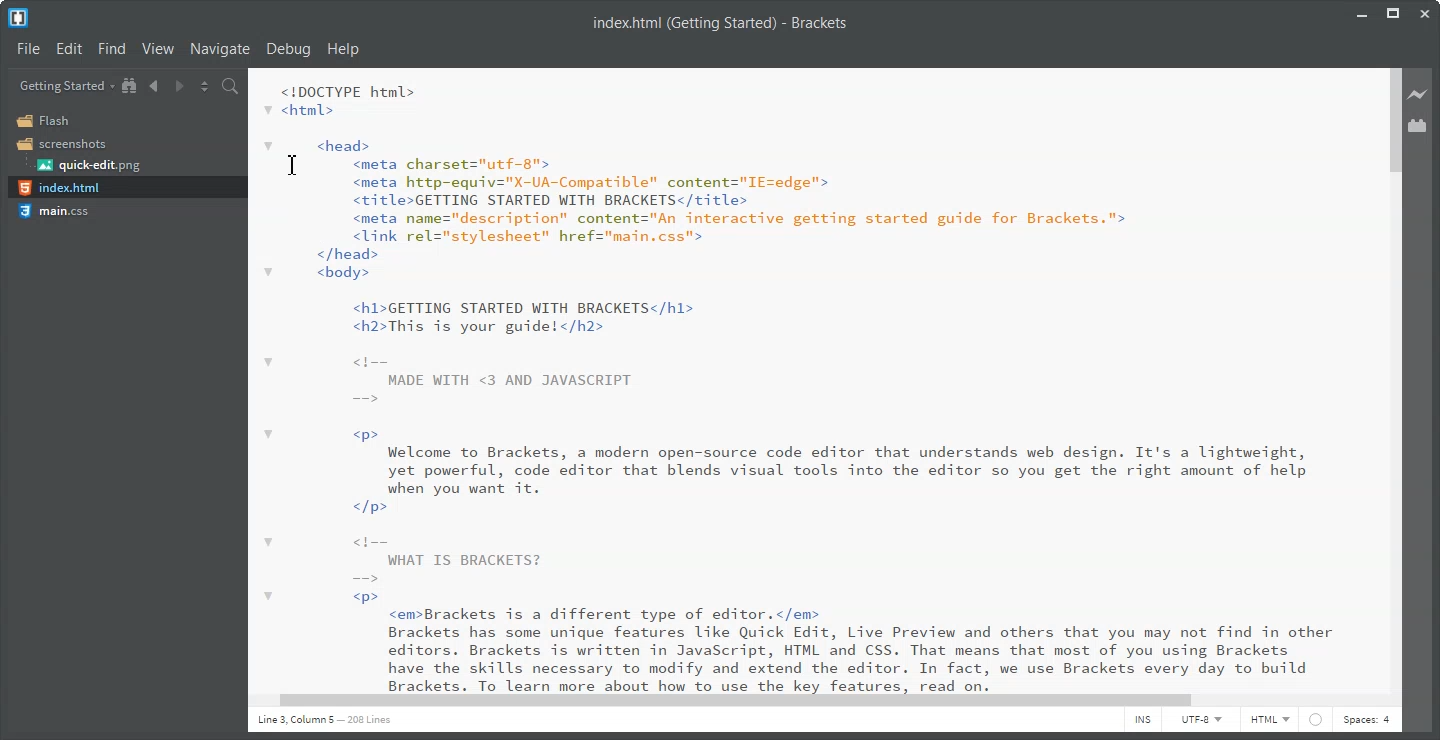 This screenshot has height=740, width=1440. Describe the element at coordinates (1368, 720) in the screenshot. I see `Spaces: 4` at that location.